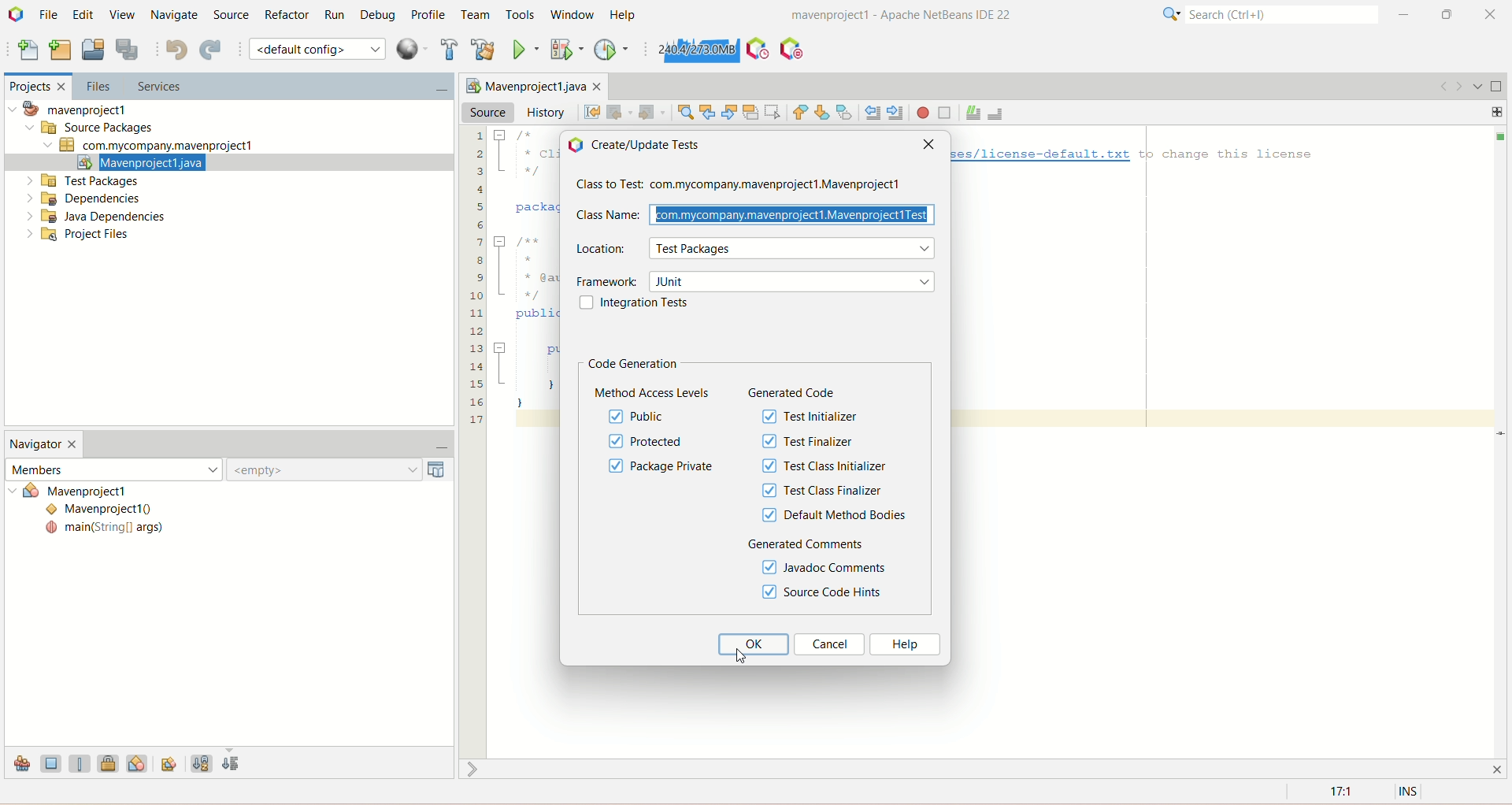 Image resolution: width=1512 pixels, height=805 pixels. Describe the element at coordinates (791, 45) in the screenshot. I see `pause` at that location.